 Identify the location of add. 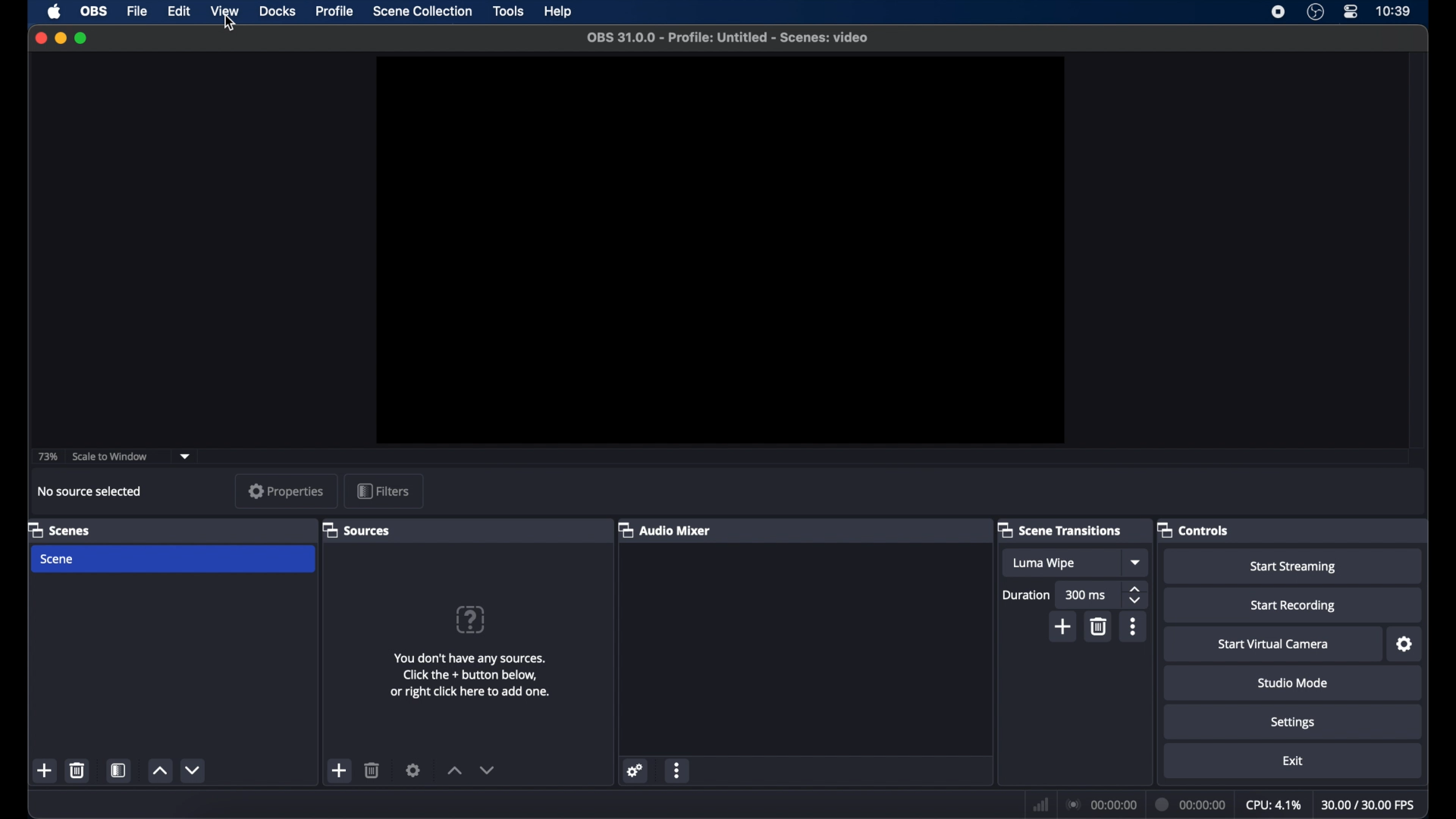
(45, 770).